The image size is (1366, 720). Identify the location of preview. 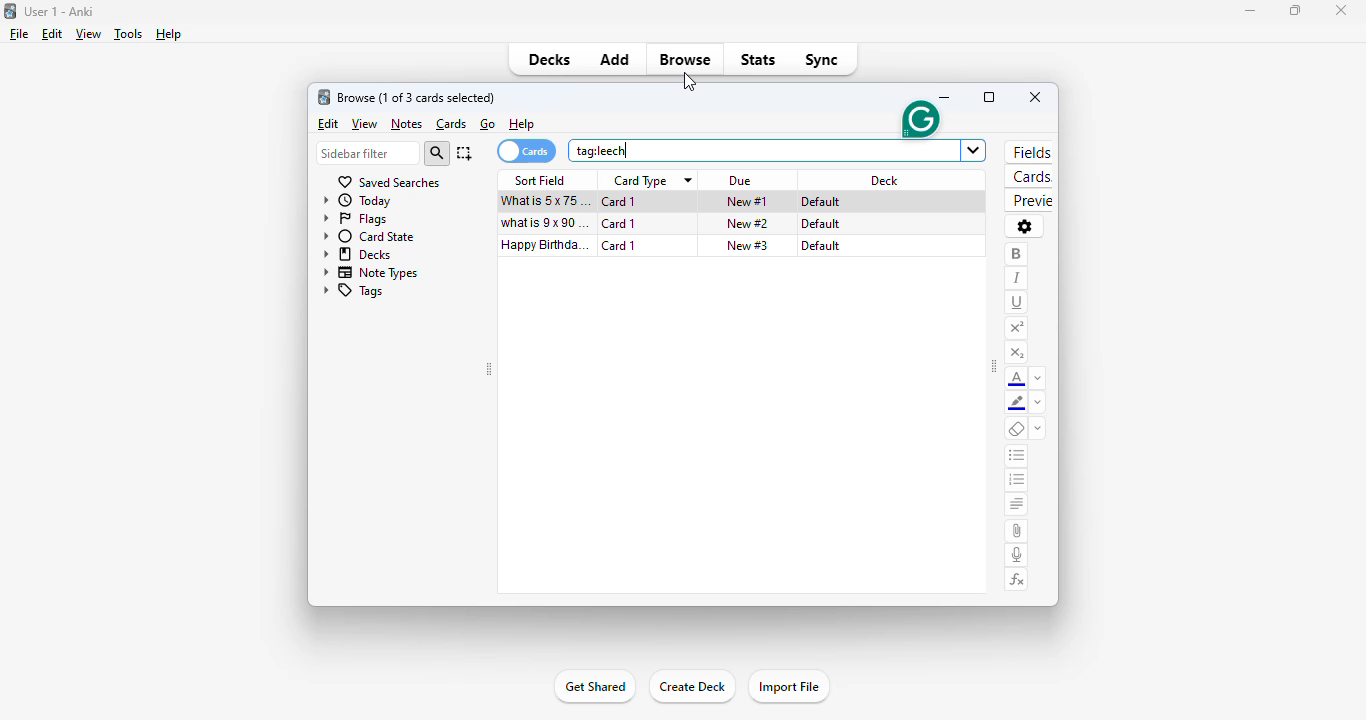
(1028, 201).